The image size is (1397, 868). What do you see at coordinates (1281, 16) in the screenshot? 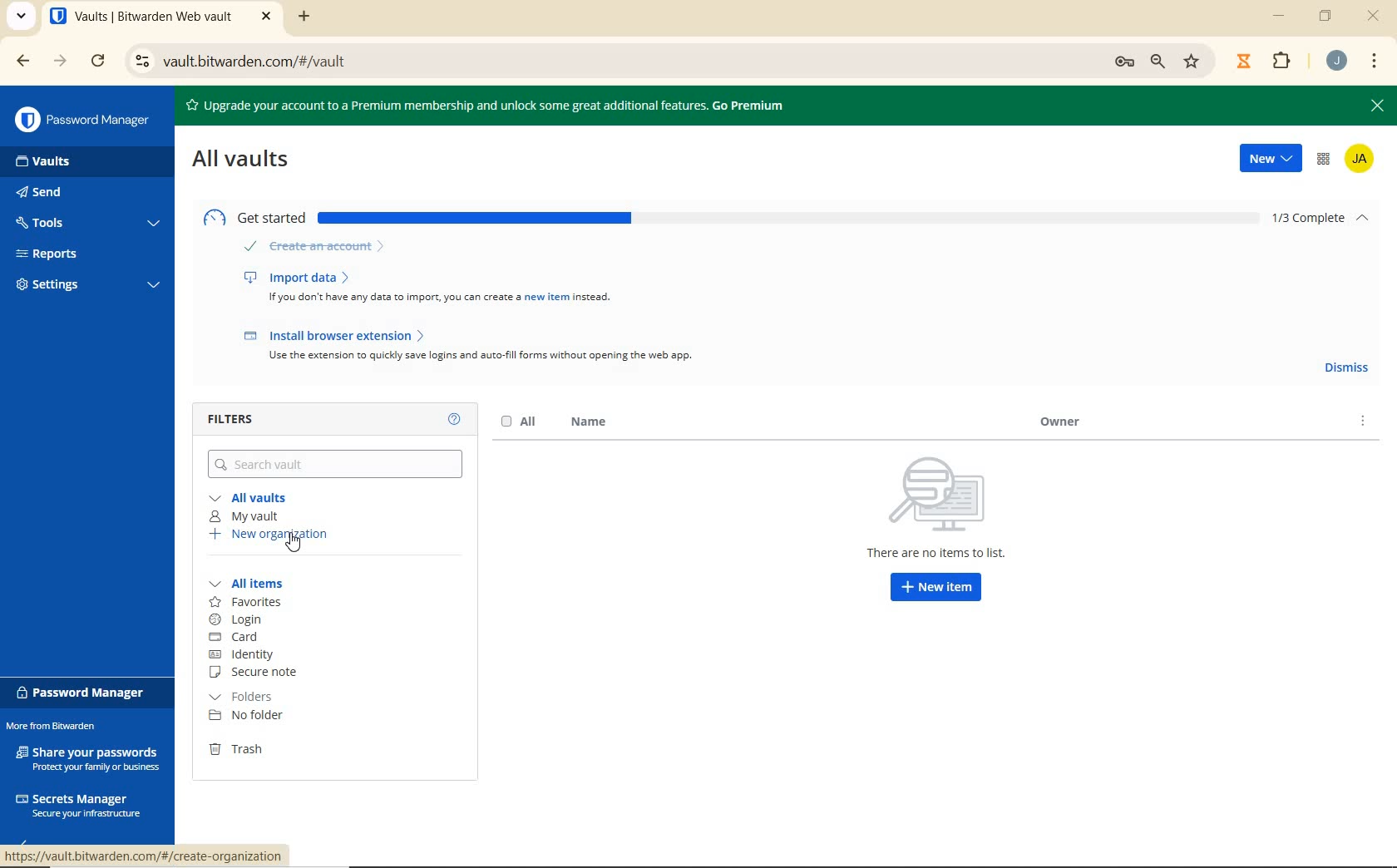
I see `minimize` at bounding box center [1281, 16].